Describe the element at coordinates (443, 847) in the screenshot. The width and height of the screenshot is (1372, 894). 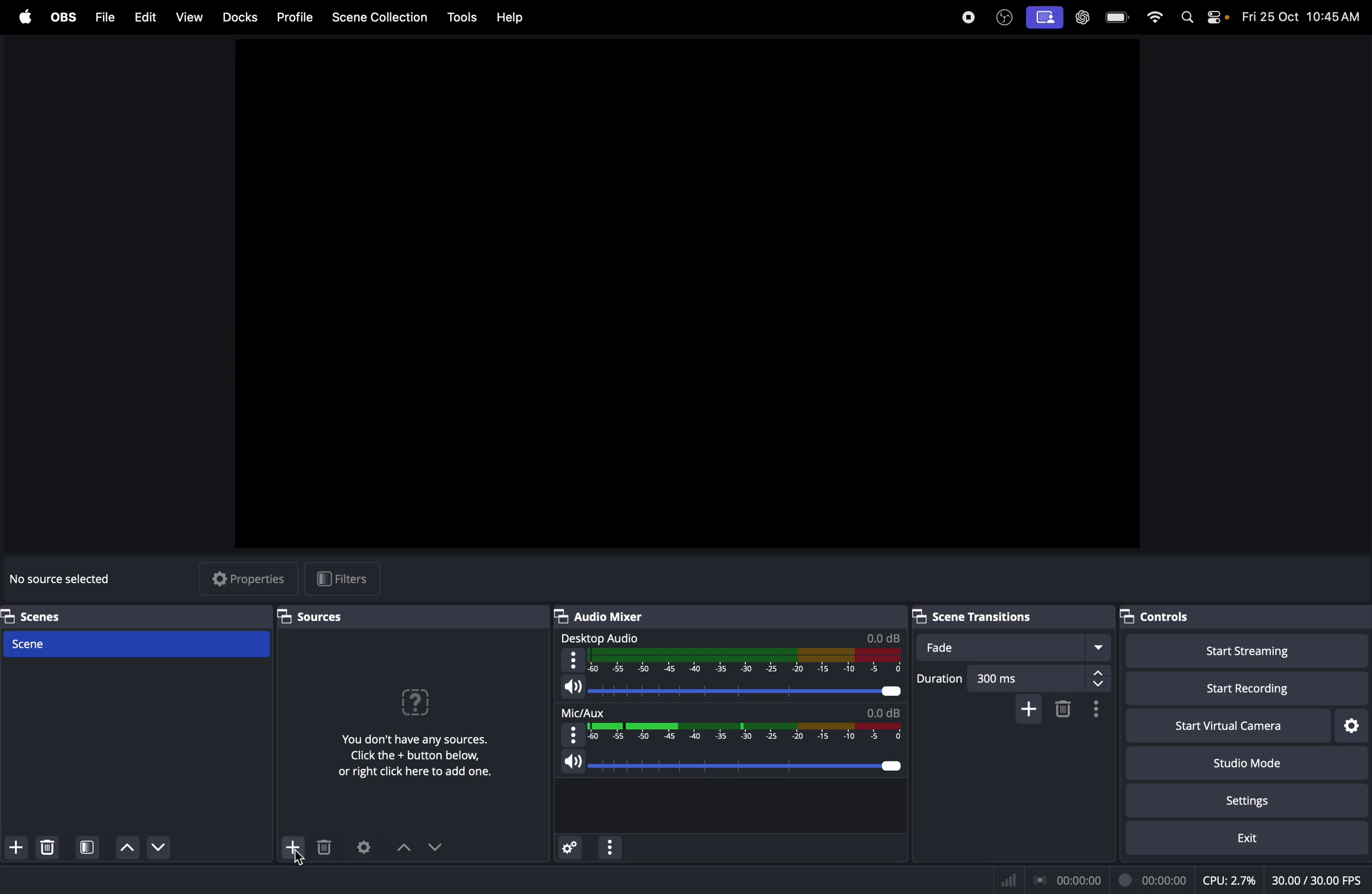
I see `drop down` at that location.